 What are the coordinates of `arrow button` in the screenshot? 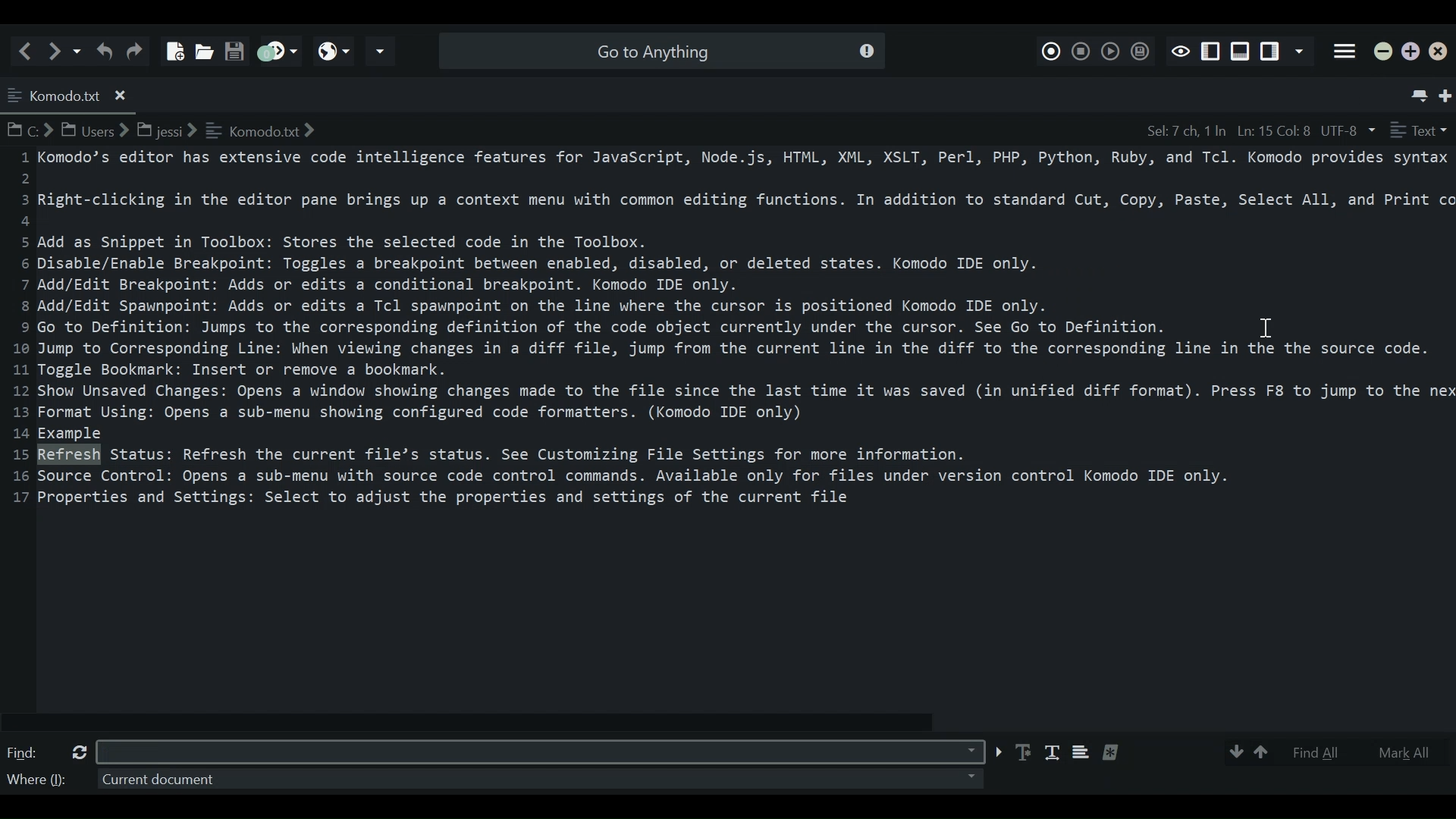 It's located at (996, 752).